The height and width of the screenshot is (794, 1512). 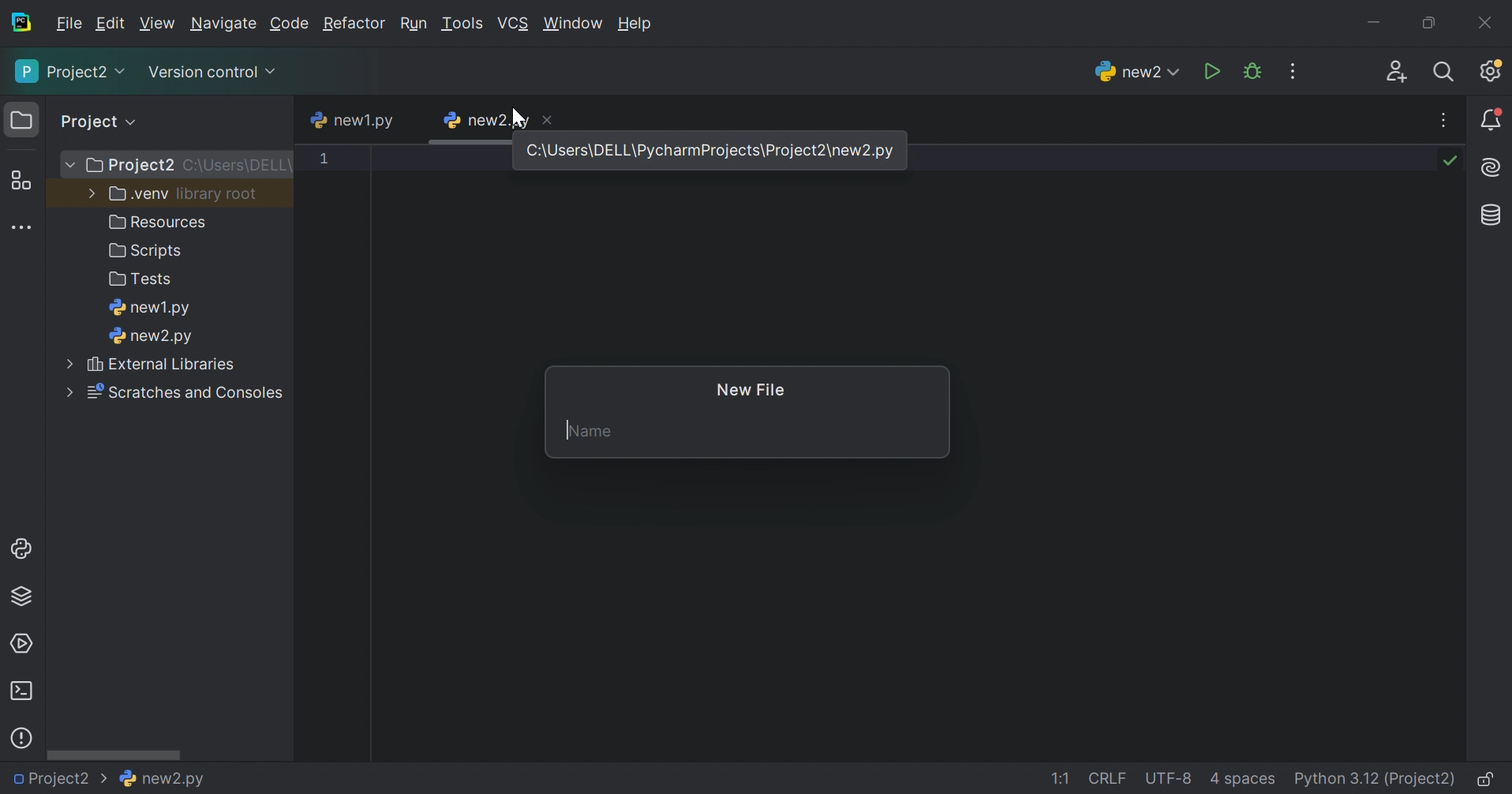 What do you see at coordinates (754, 391) in the screenshot?
I see `New File` at bounding box center [754, 391].